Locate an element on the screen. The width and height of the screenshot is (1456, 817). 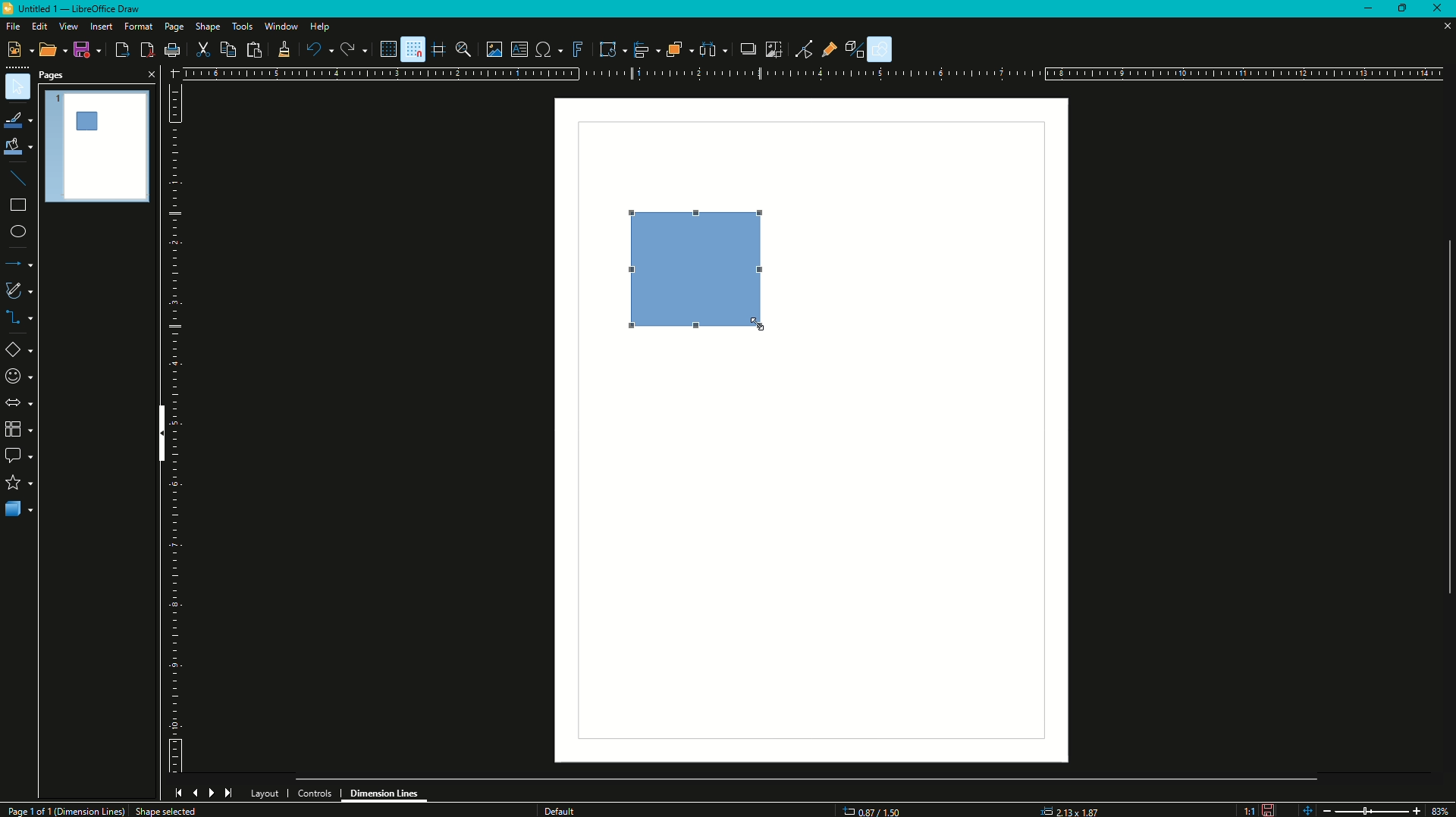
Connectors is located at coordinates (20, 319).